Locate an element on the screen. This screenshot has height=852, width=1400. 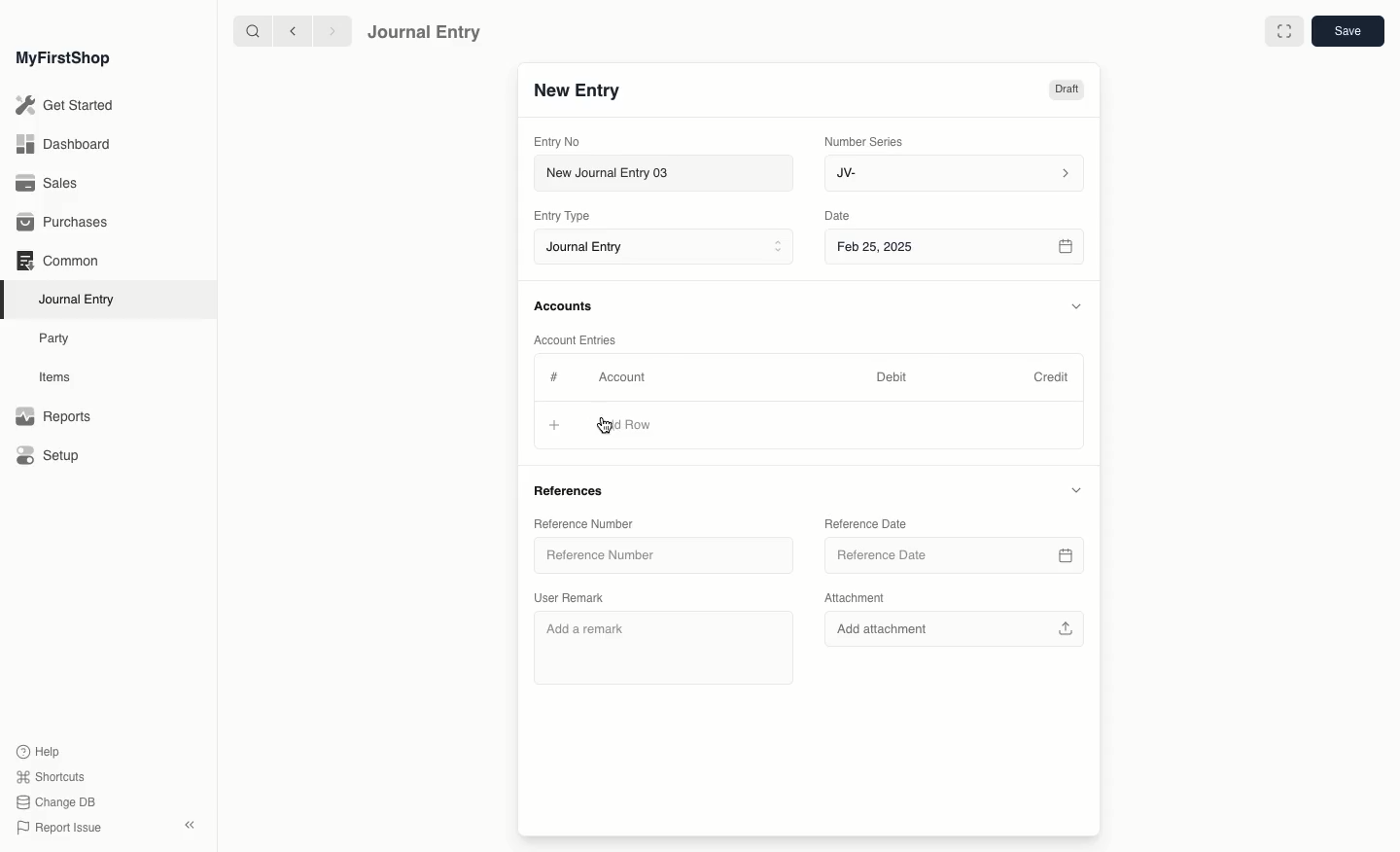
Journal Entry is located at coordinates (669, 248).